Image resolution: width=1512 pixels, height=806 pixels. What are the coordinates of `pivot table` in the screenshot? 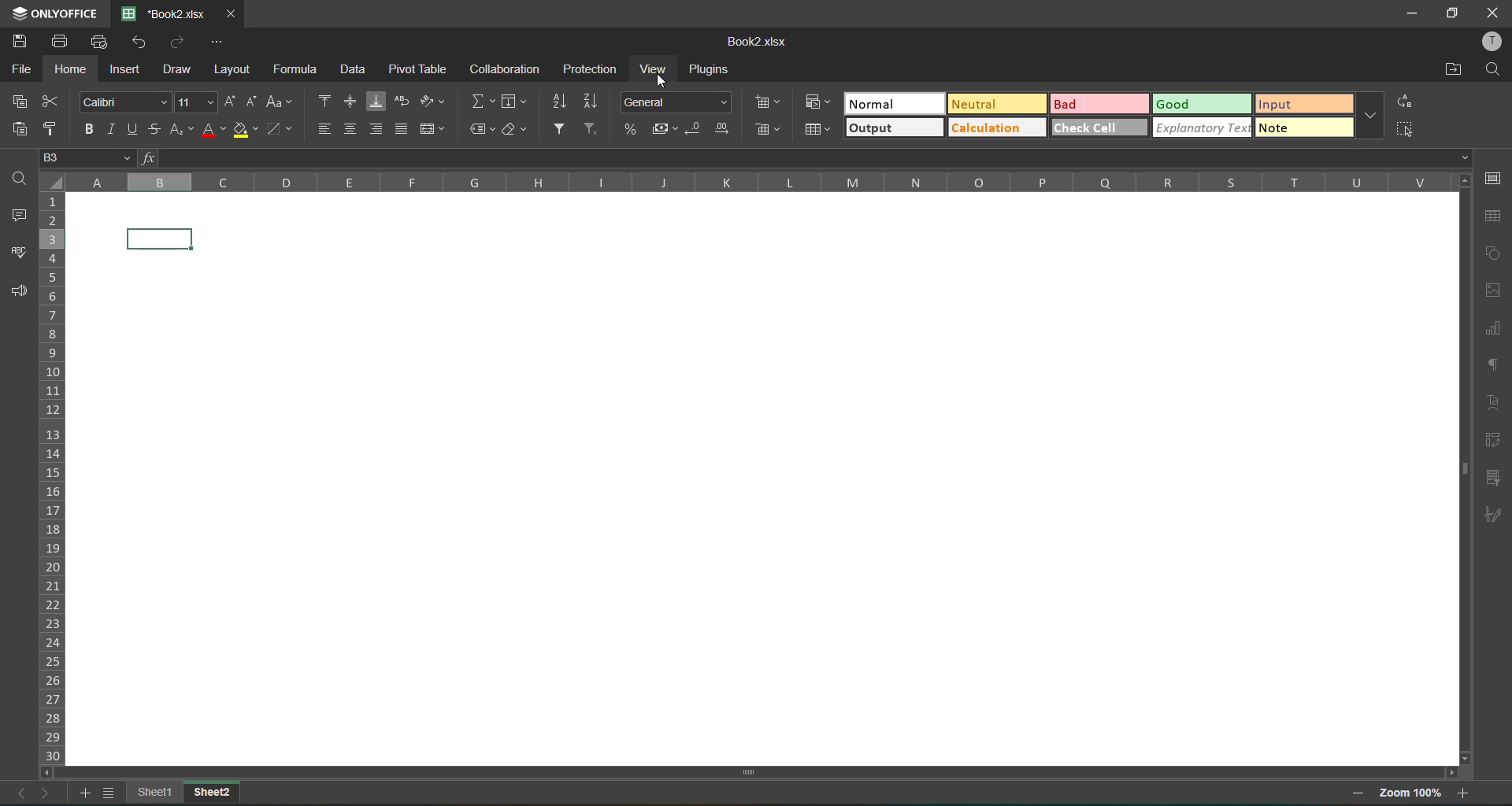 It's located at (417, 70).